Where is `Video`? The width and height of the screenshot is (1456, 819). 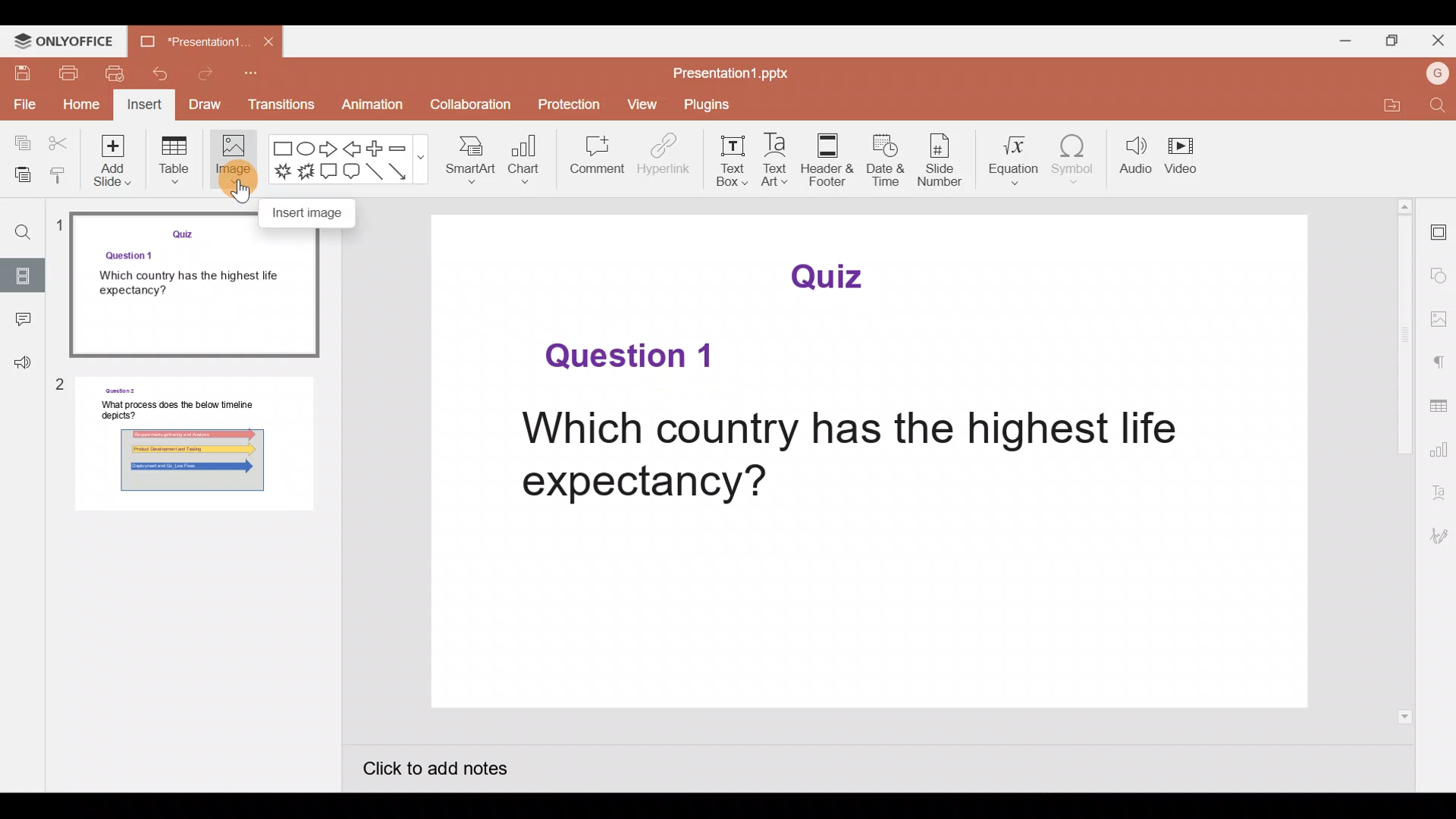
Video is located at coordinates (1187, 152).